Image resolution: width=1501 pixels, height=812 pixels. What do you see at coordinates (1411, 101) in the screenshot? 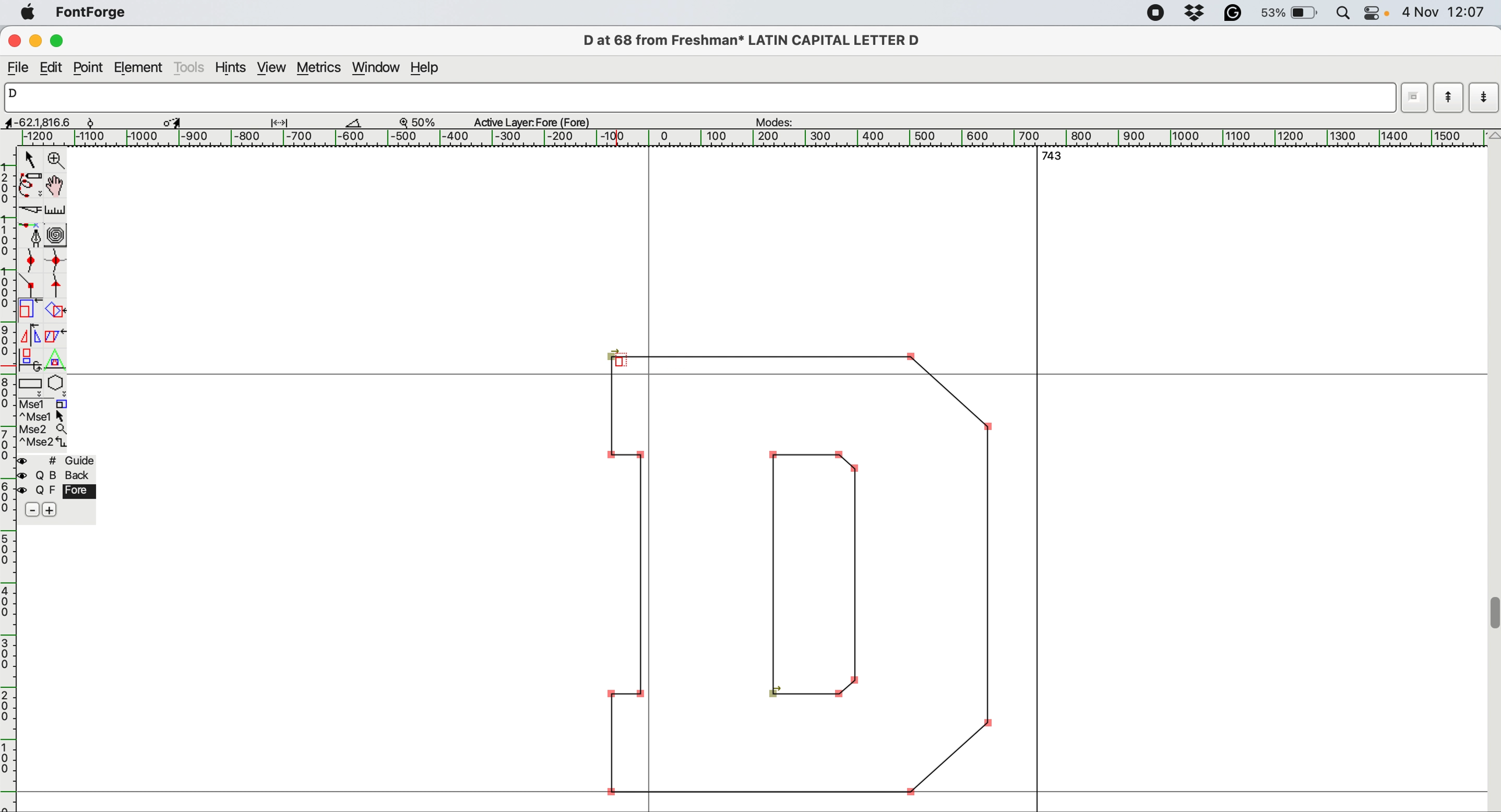
I see `current word list` at bounding box center [1411, 101].